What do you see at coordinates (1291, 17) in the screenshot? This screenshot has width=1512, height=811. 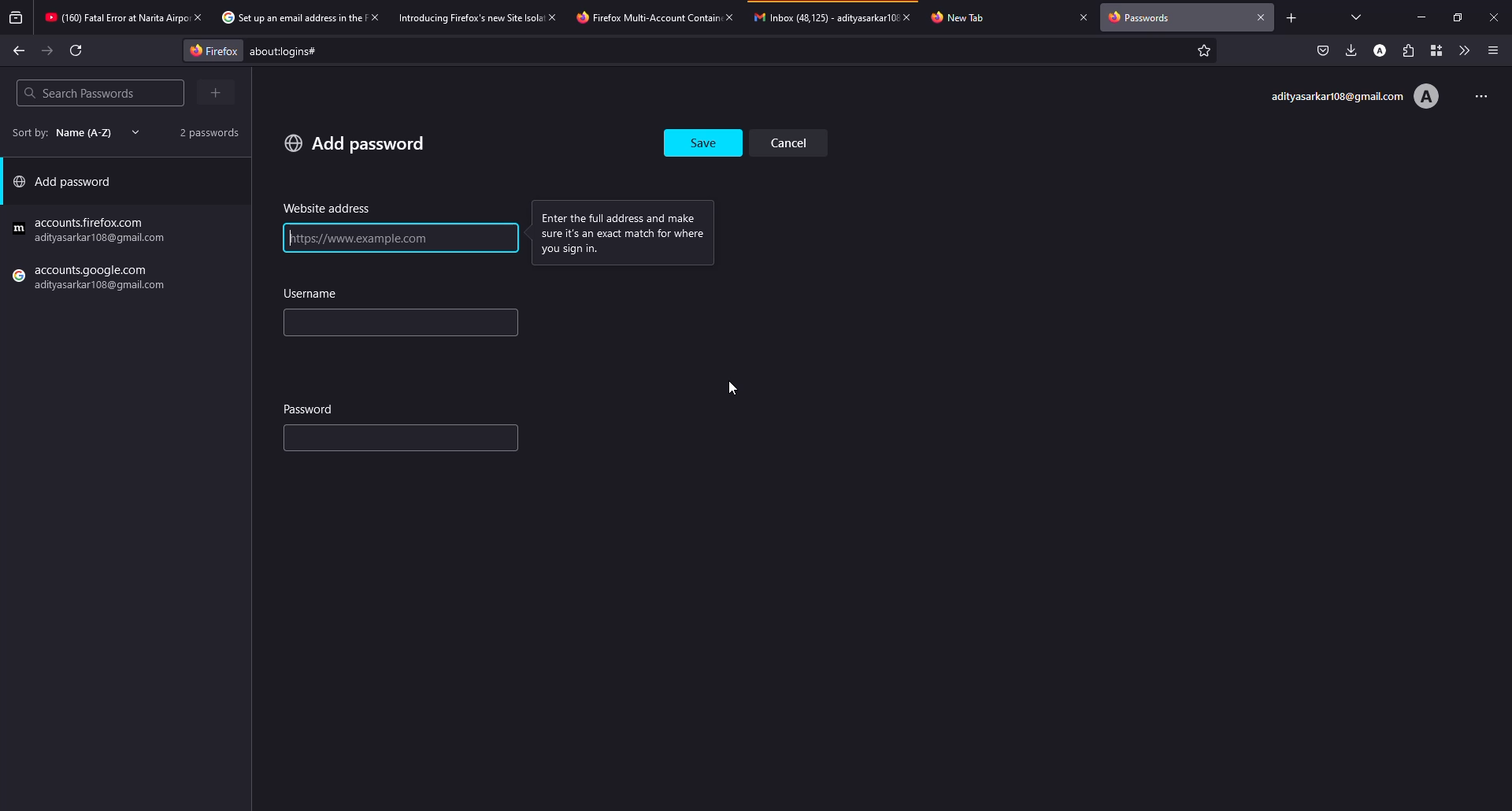 I see `add tab` at bounding box center [1291, 17].